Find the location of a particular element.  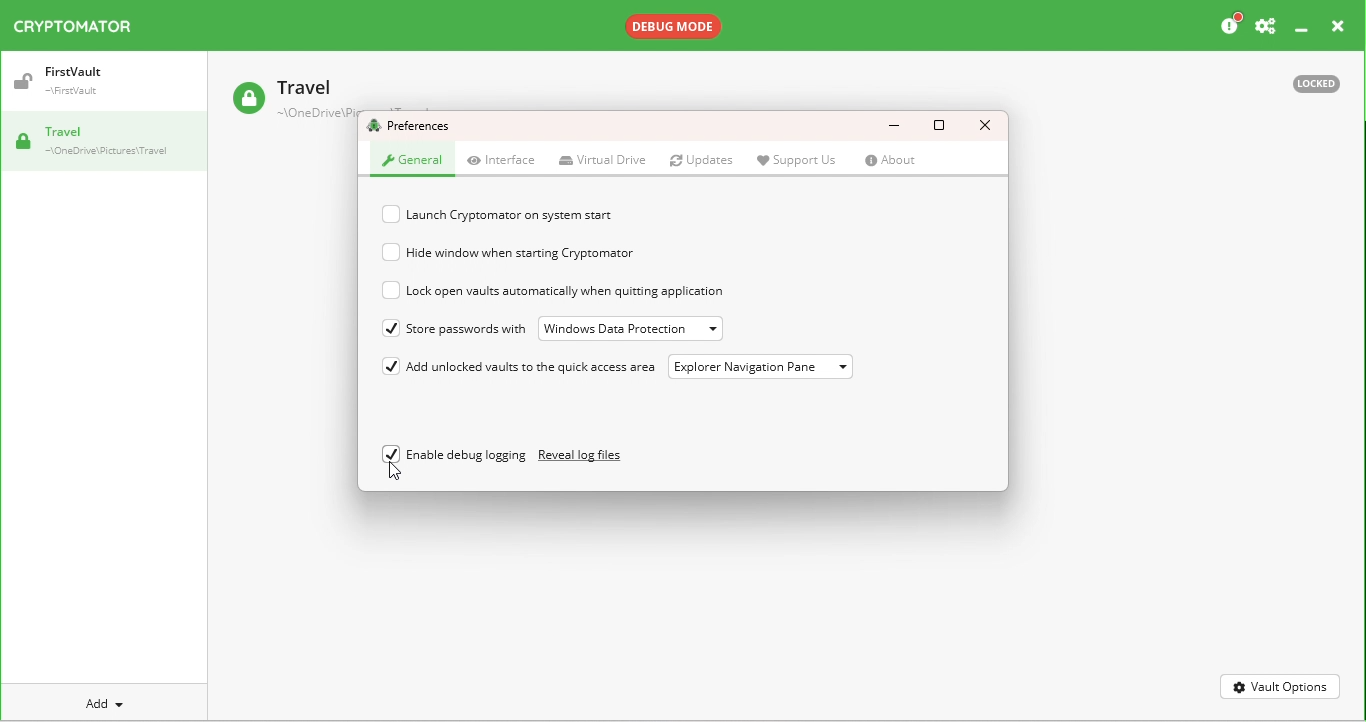

Locked is located at coordinates (1317, 86).